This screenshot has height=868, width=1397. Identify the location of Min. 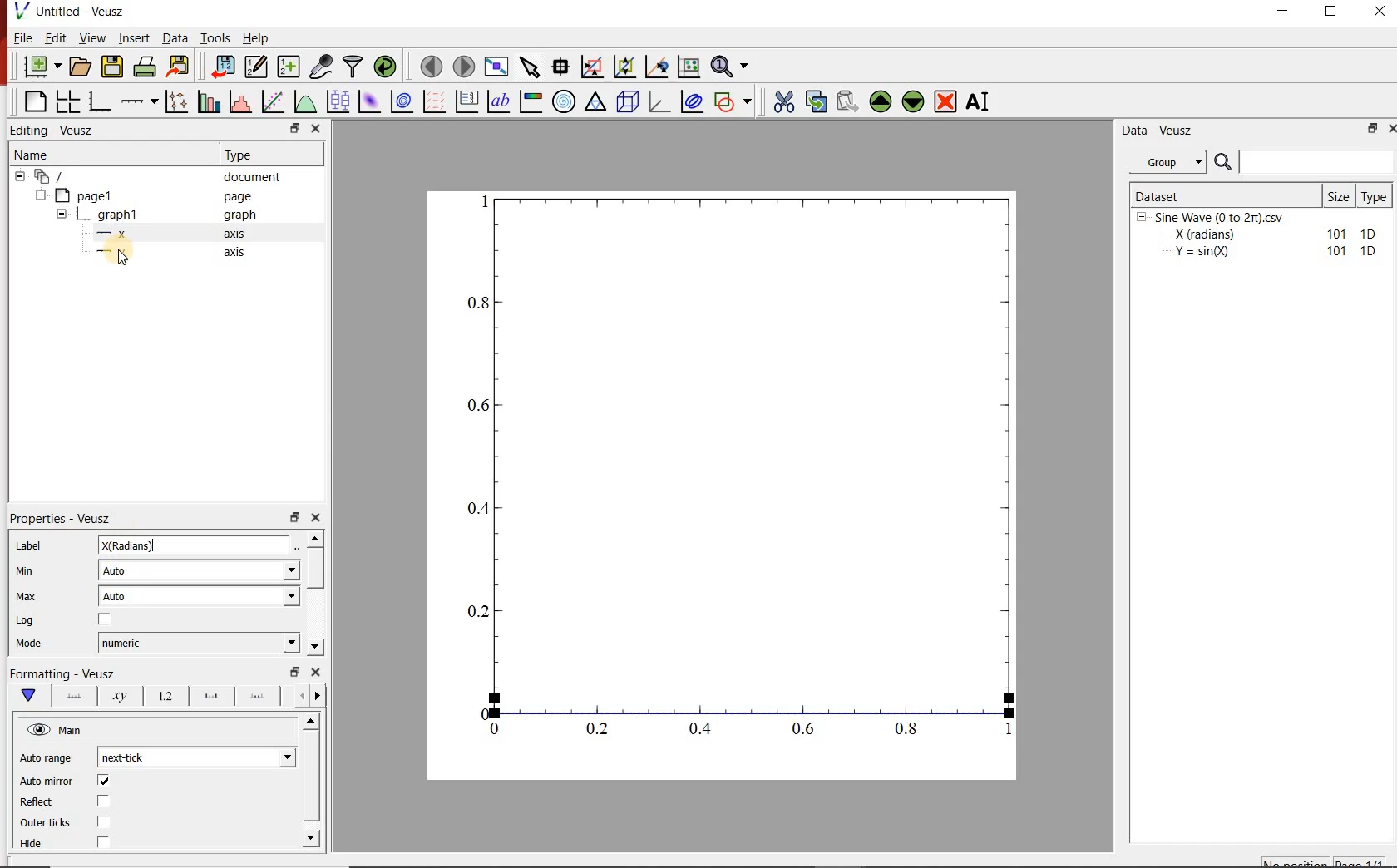
(26, 570).